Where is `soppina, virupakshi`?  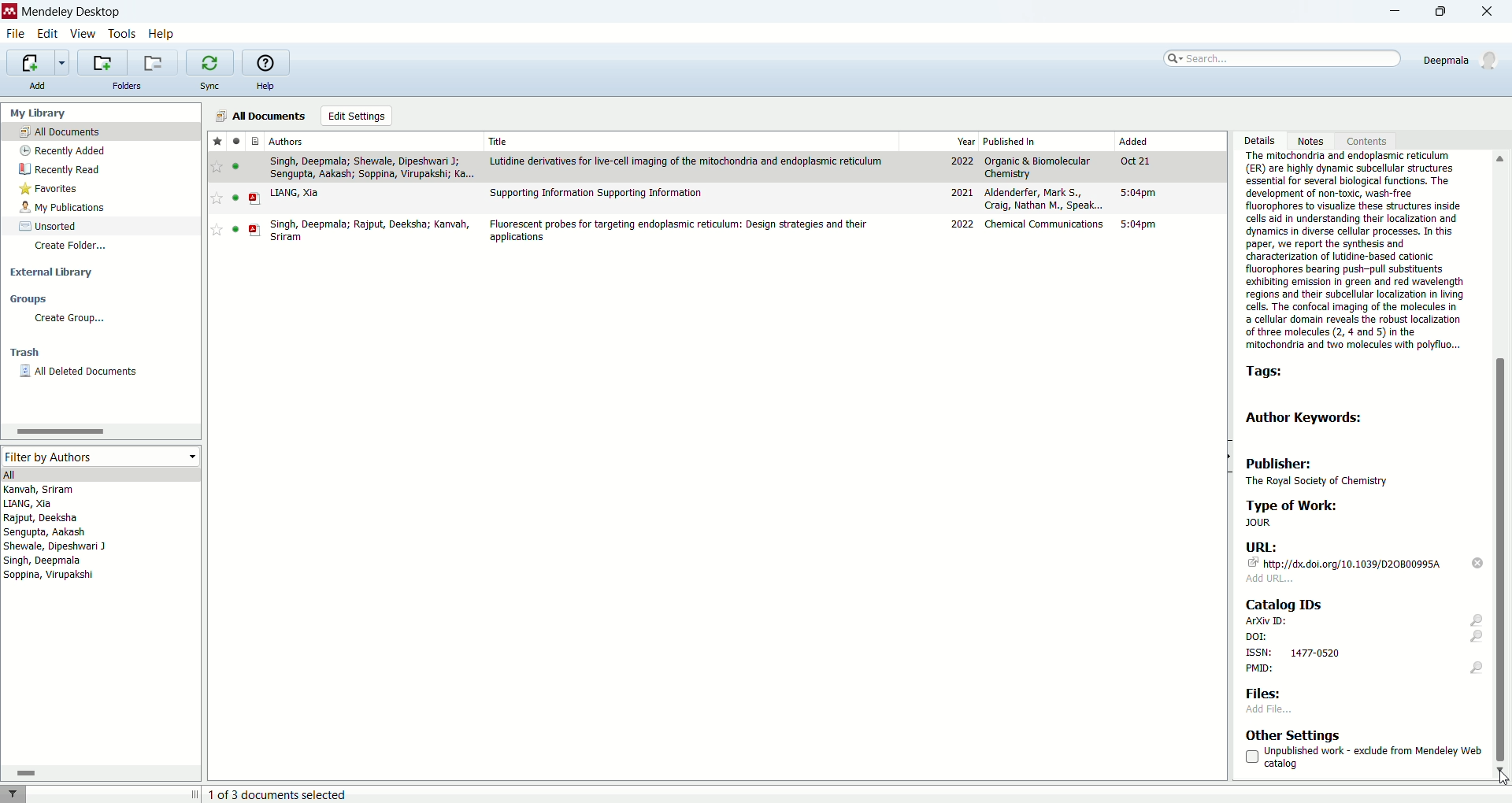
soppina, virupakshi is located at coordinates (50, 574).